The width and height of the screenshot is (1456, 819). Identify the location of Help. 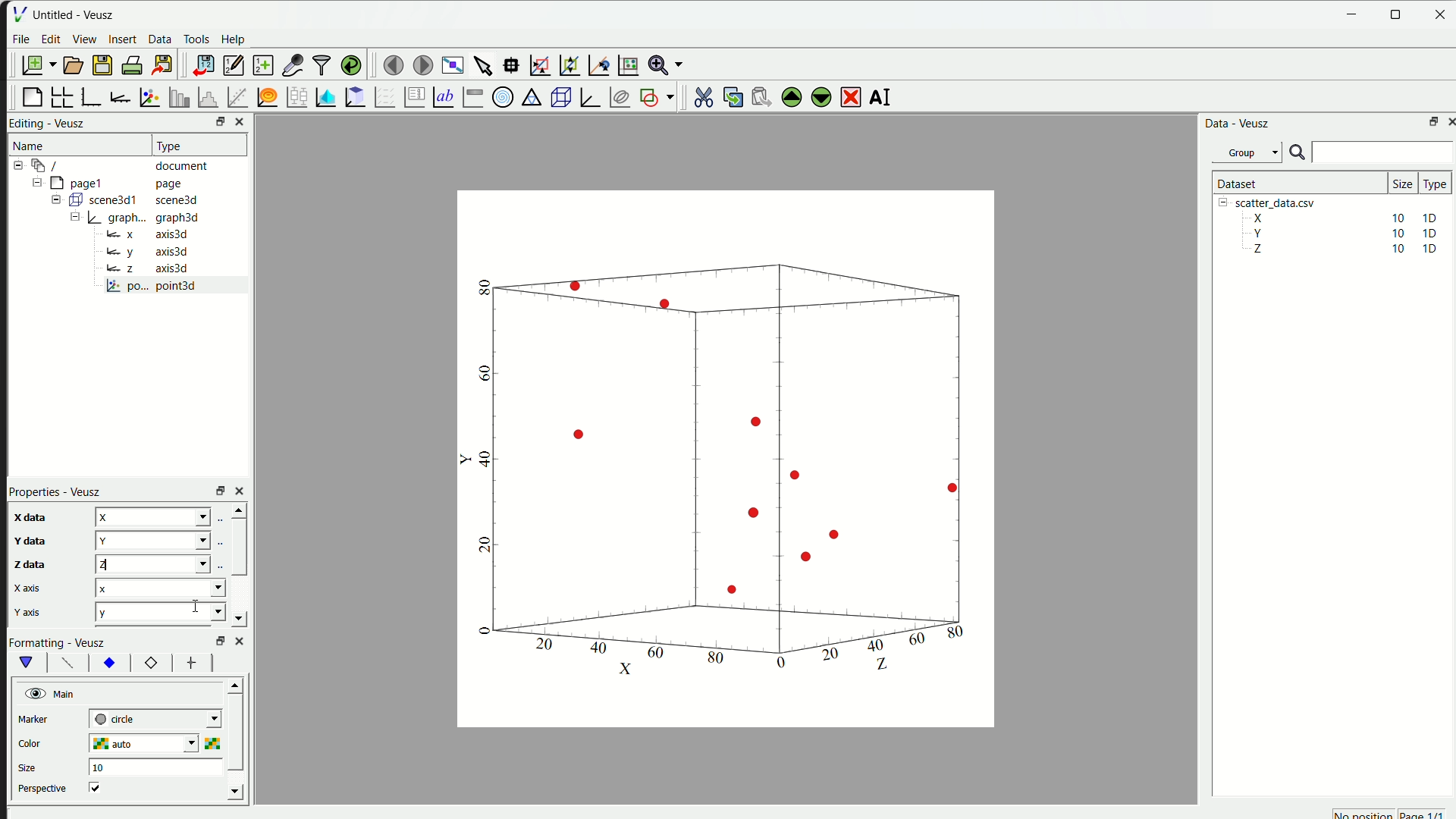
(233, 38).